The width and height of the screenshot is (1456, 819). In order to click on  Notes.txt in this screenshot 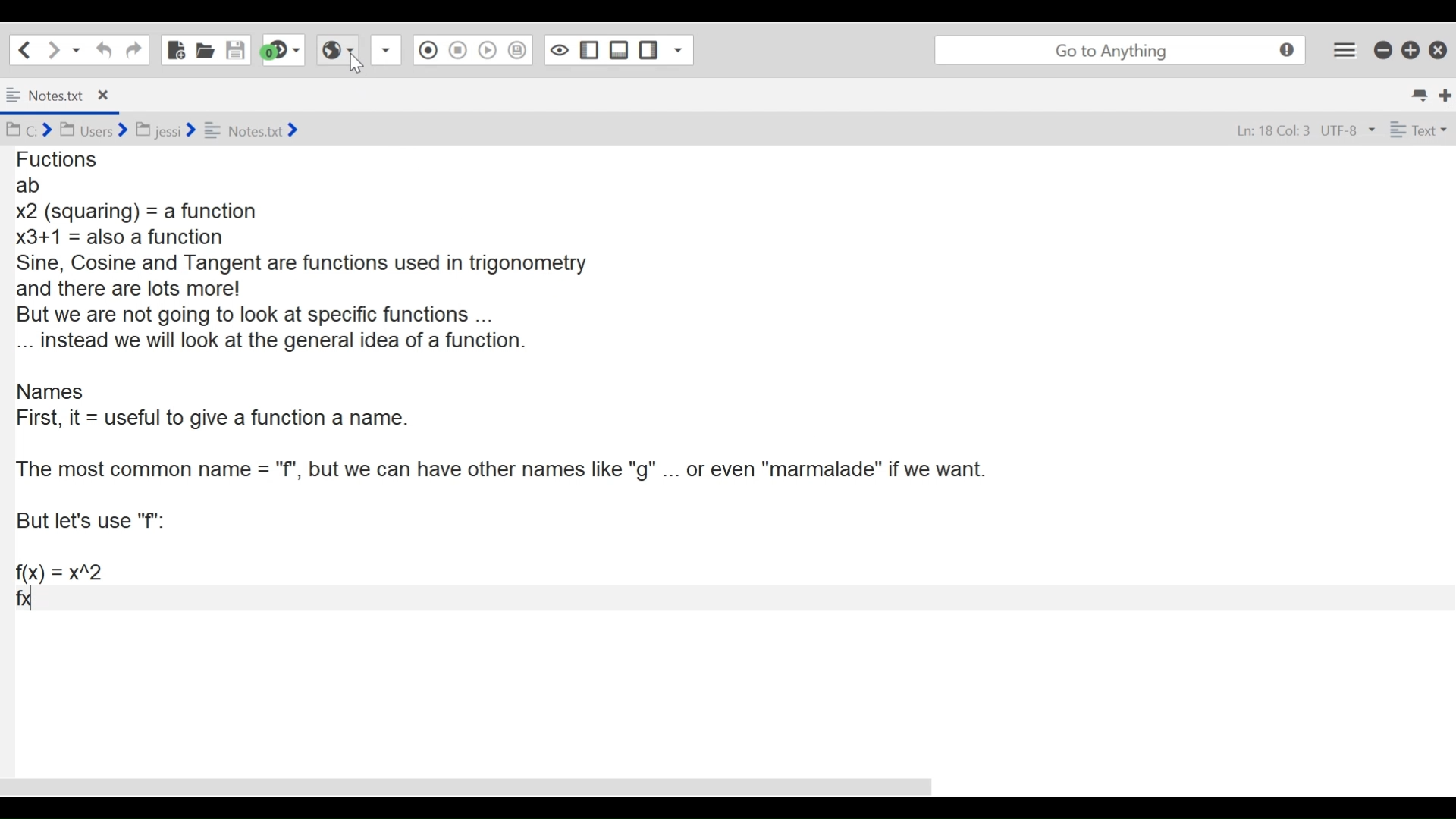, I will do `click(258, 130)`.